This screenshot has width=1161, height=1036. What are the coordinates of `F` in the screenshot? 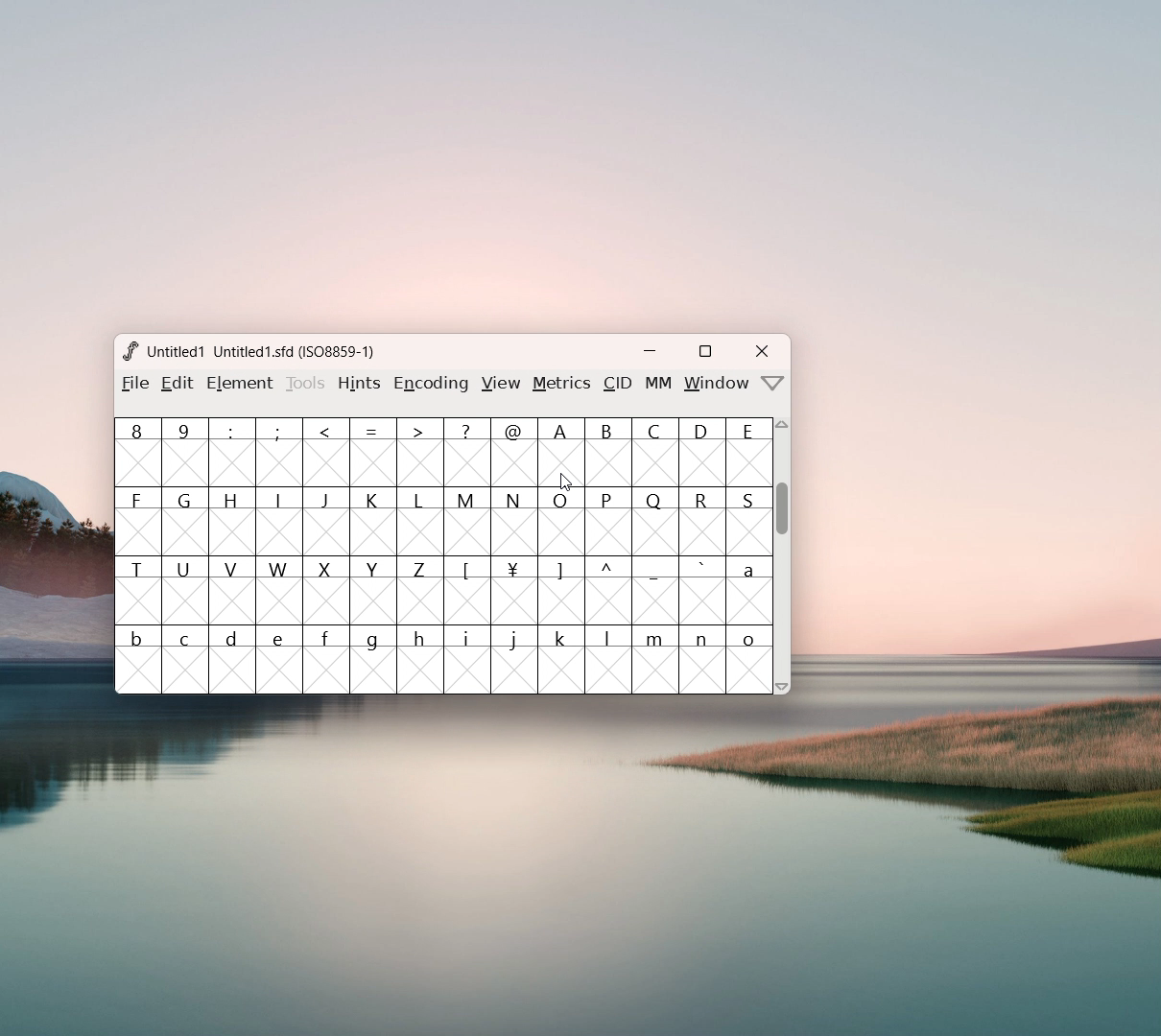 It's located at (138, 521).